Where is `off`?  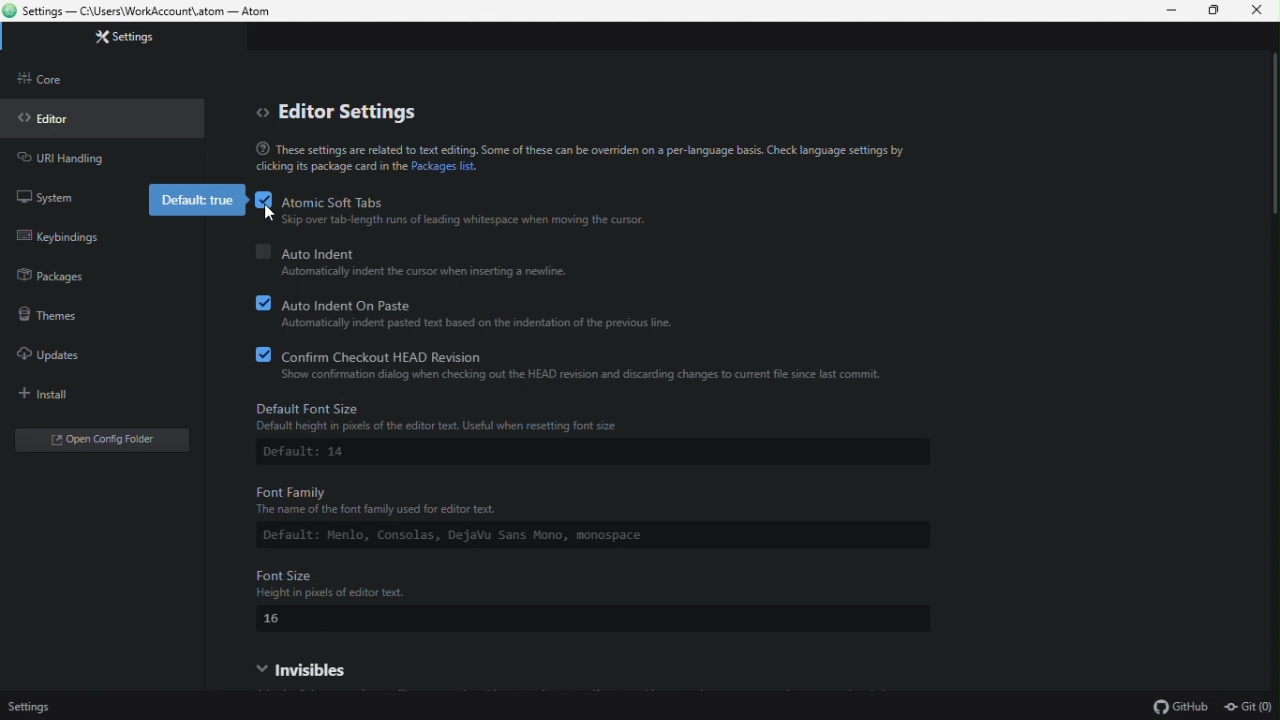
off is located at coordinates (261, 249).